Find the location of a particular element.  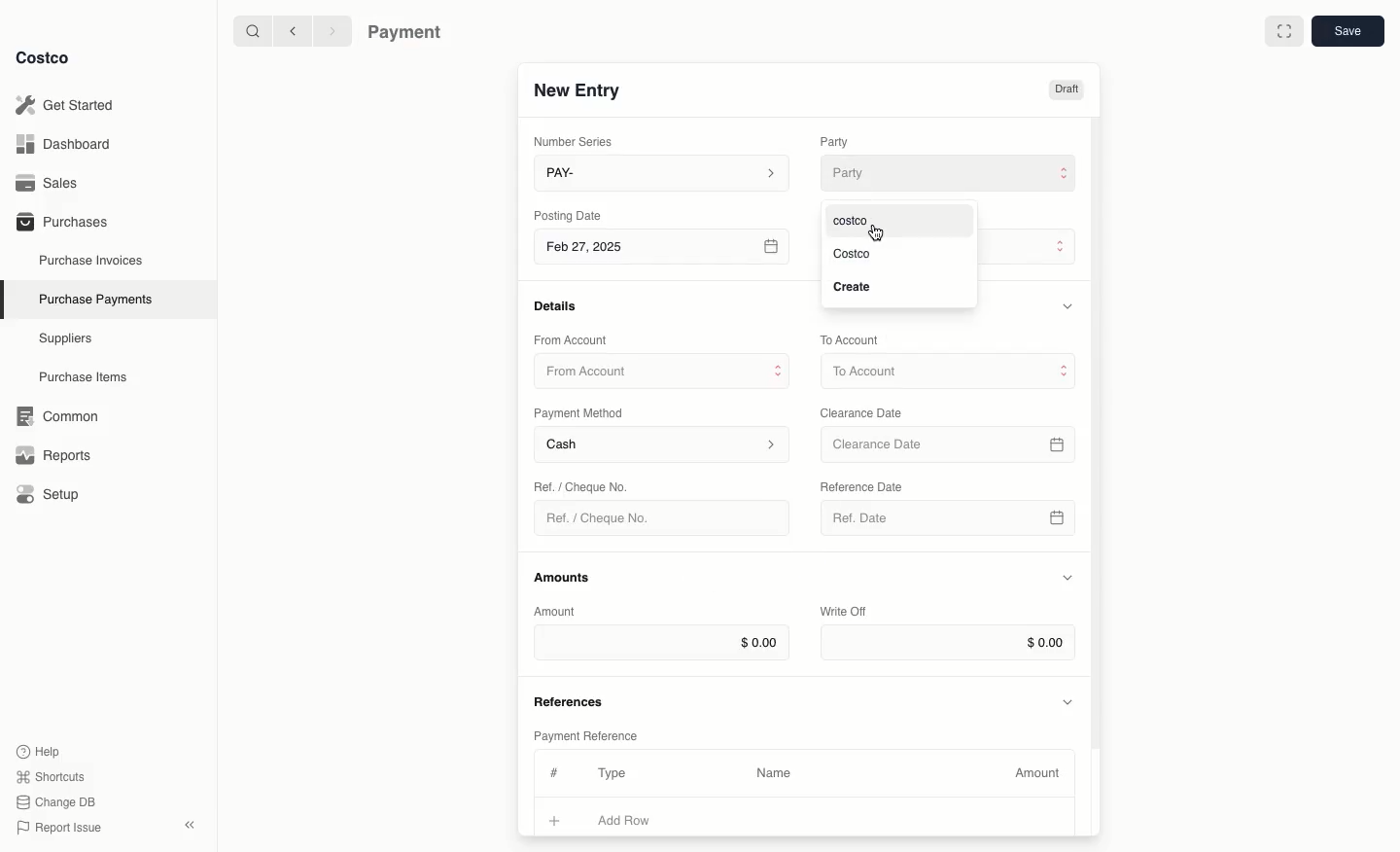

$0.00 is located at coordinates (661, 642).